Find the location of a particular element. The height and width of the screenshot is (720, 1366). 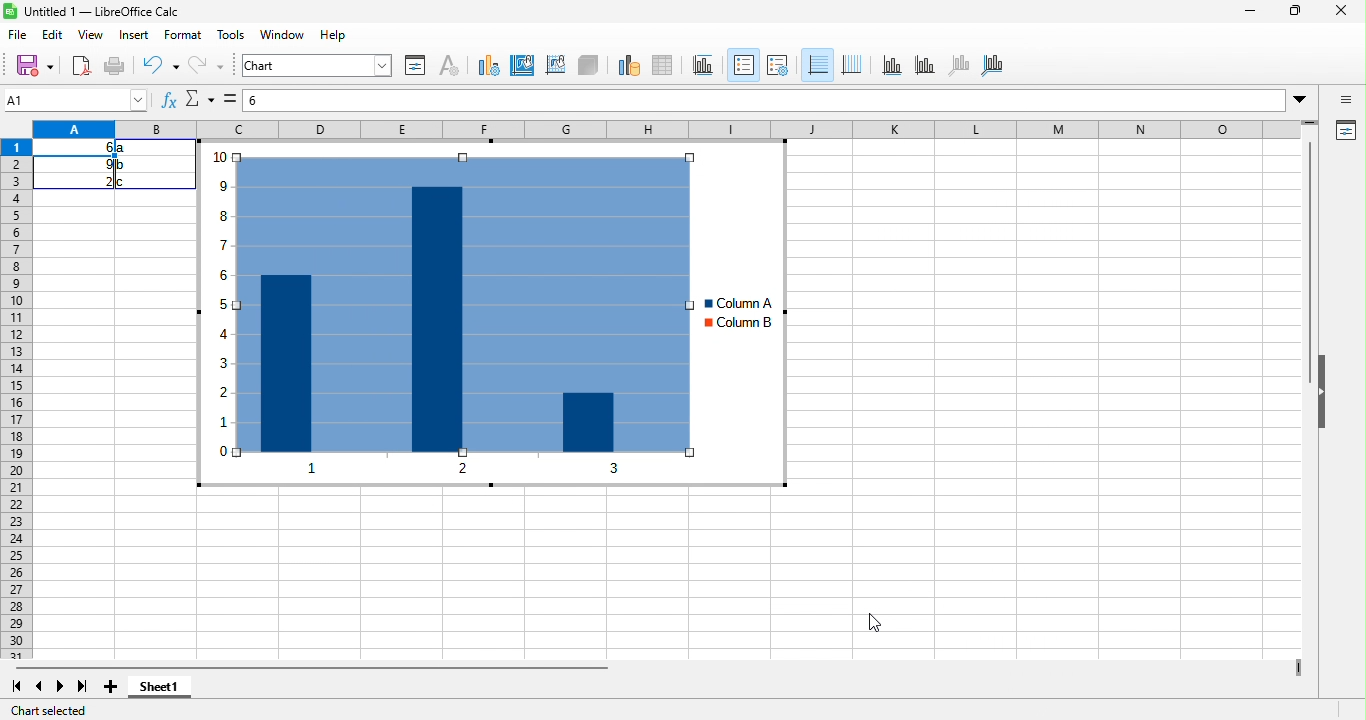

y axis is located at coordinates (924, 64).